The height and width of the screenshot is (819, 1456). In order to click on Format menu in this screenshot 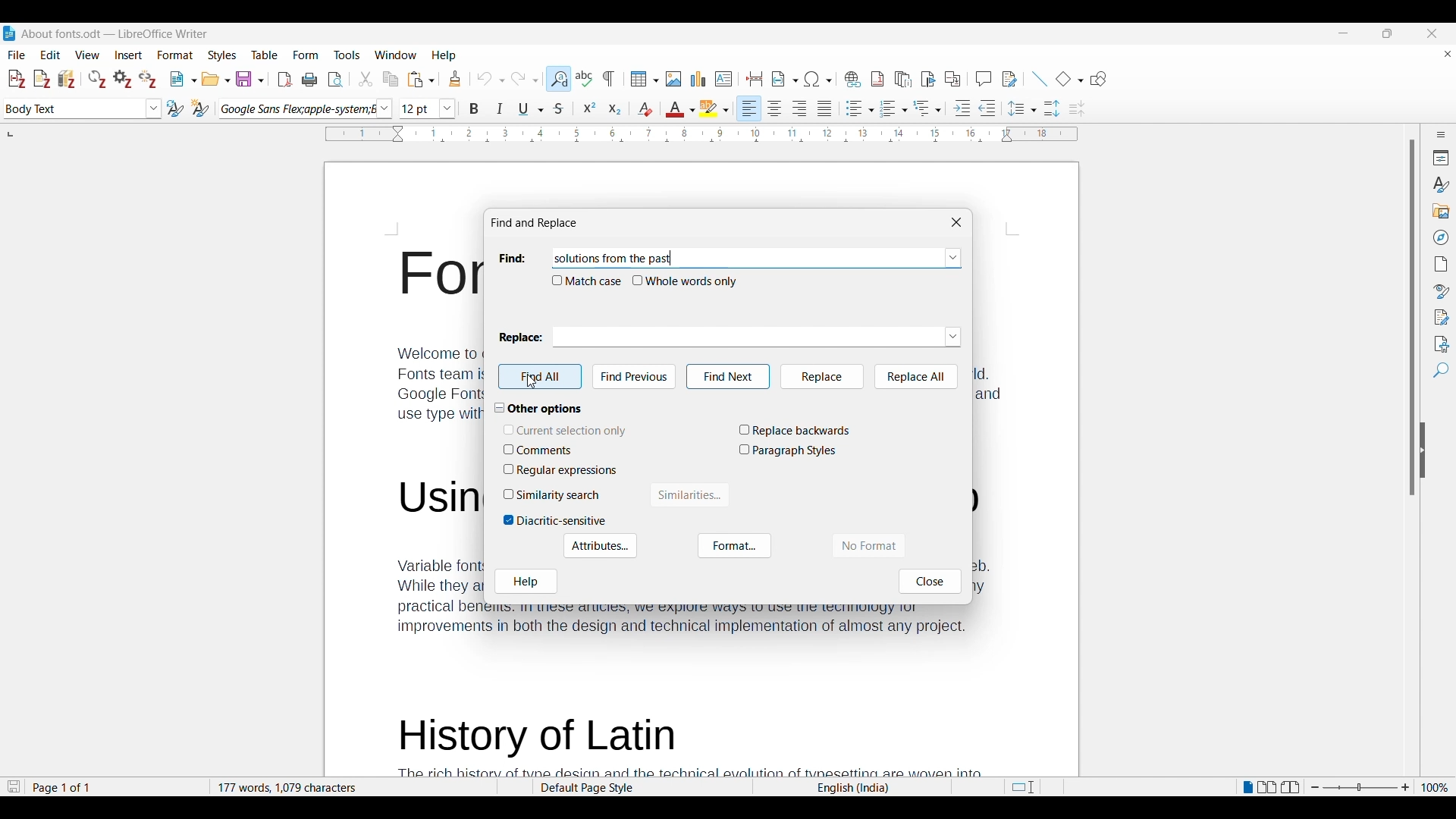, I will do `click(176, 55)`.